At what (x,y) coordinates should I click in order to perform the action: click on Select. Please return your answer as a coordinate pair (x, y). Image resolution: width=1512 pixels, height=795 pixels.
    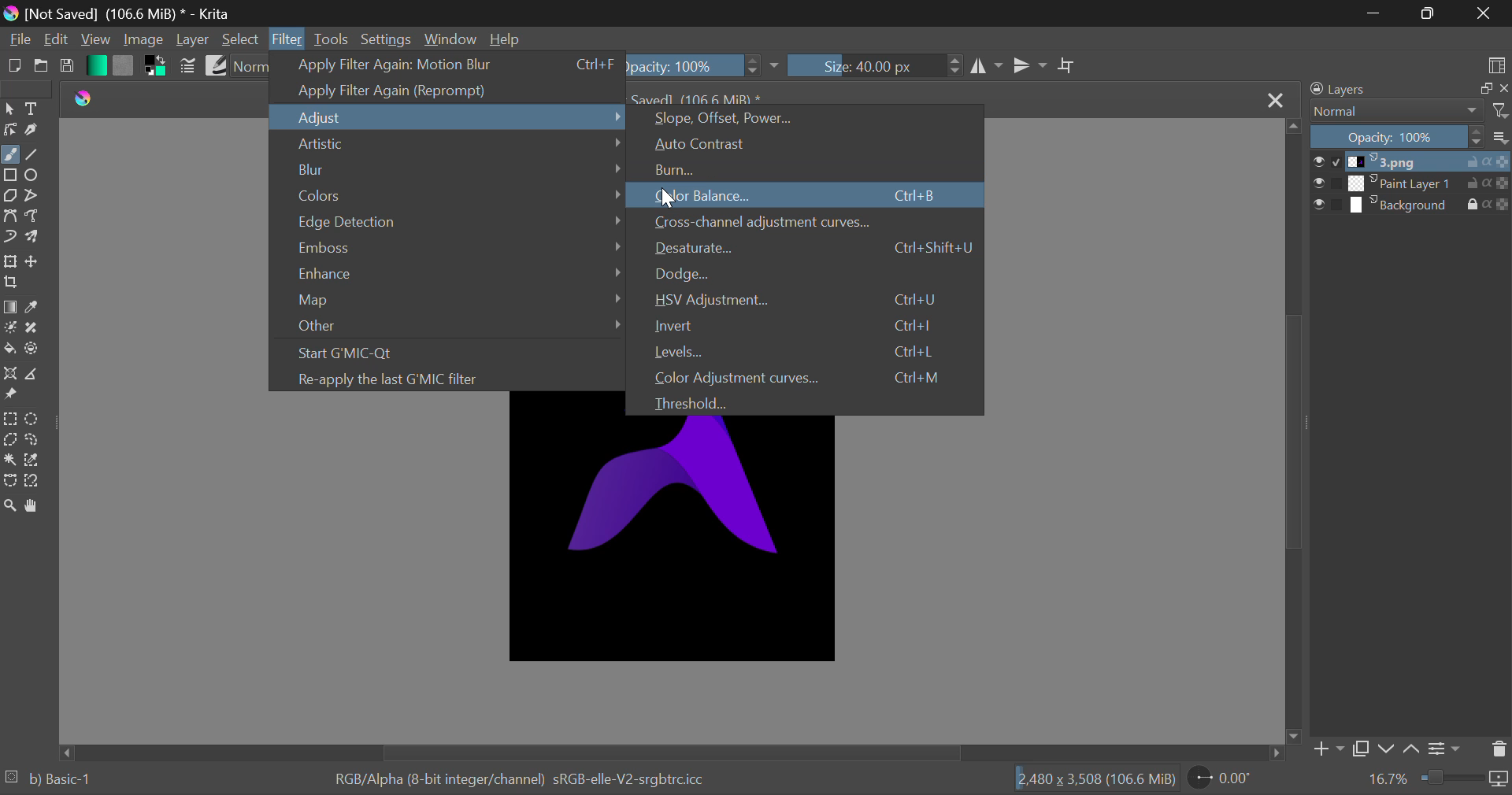
    Looking at the image, I should click on (9, 110).